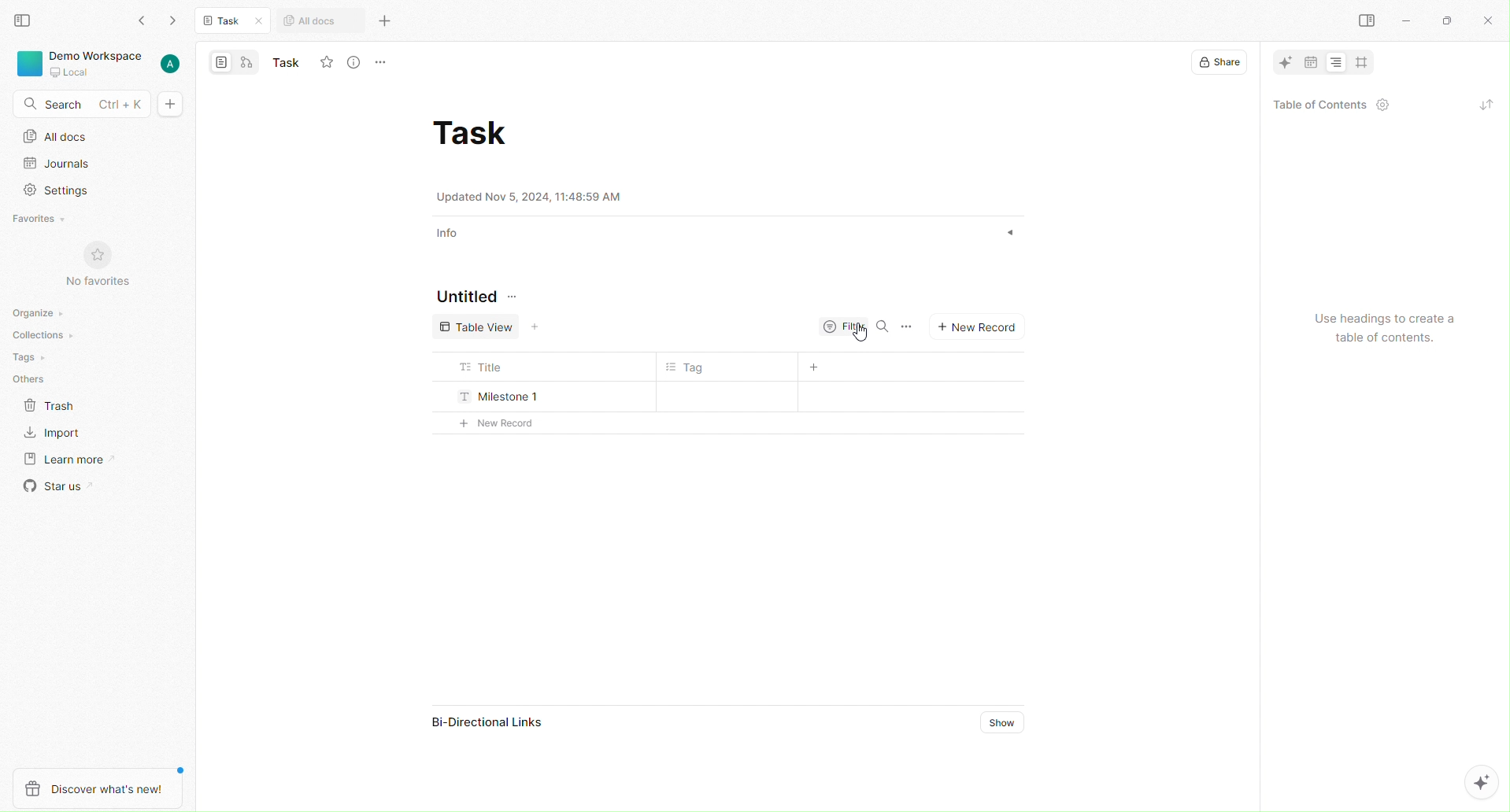  What do you see at coordinates (287, 63) in the screenshot?
I see `Name` at bounding box center [287, 63].